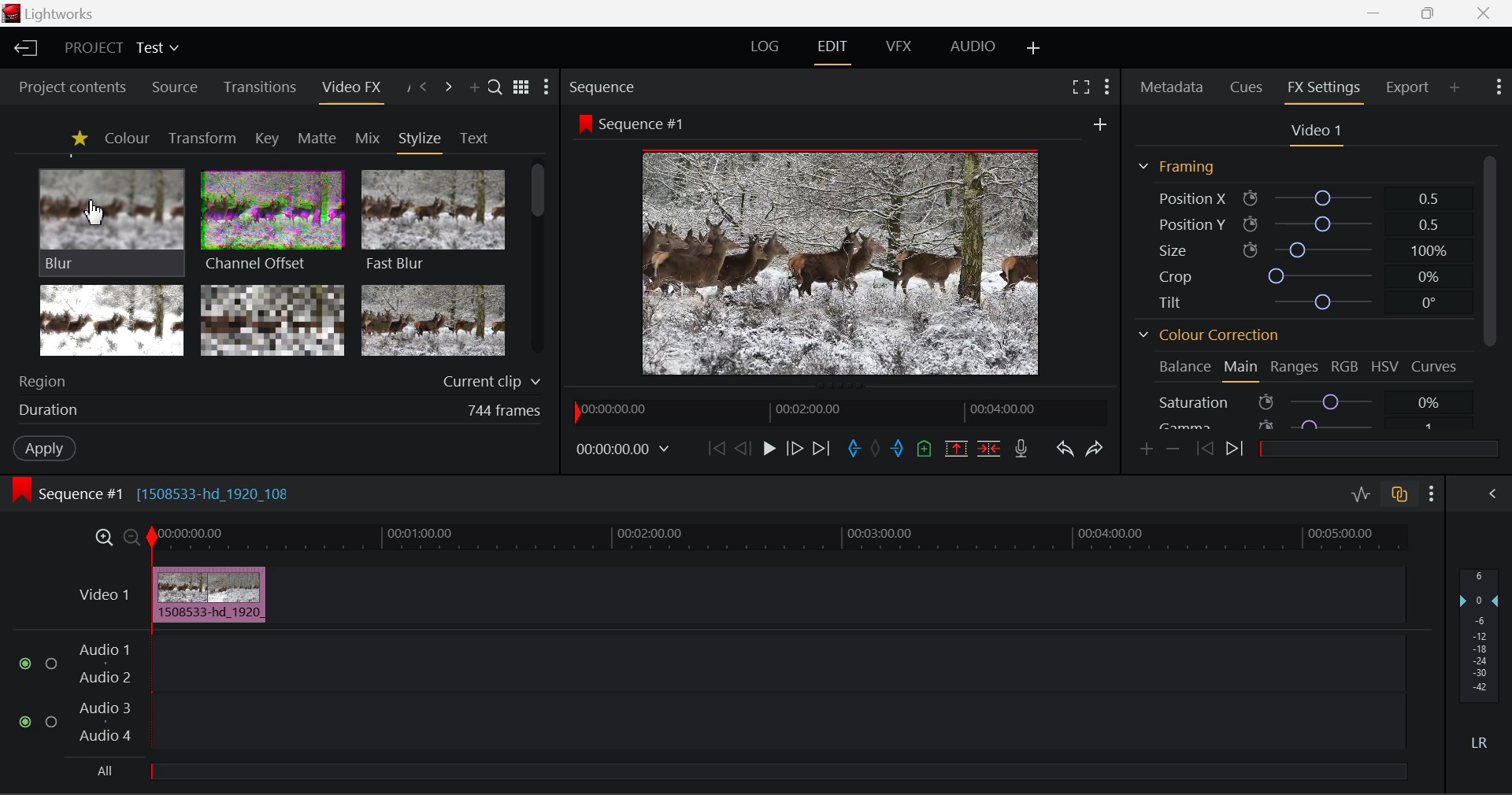  Describe the element at coordinates (1173, 448) in the screenshot. I see `Remove keyframe` at that location.